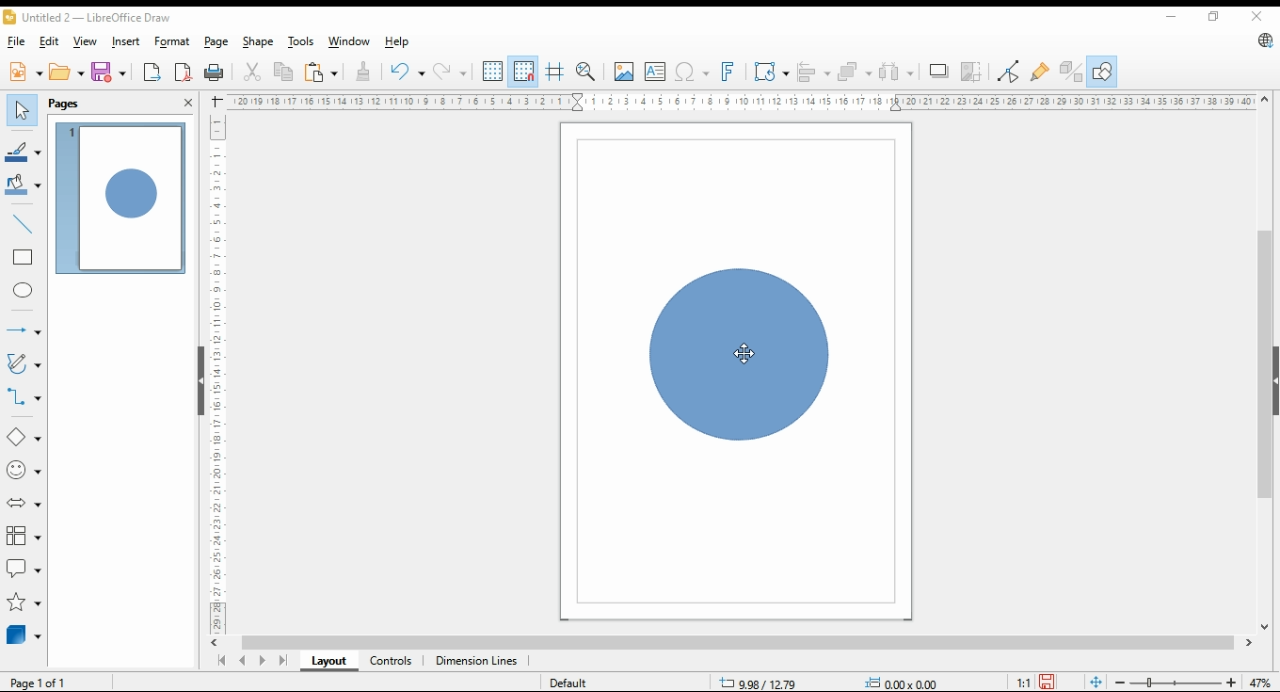 Image resolution: width=1280 pixels, height=692 pixels. I want to click on callout shapes, so click(21, 566).